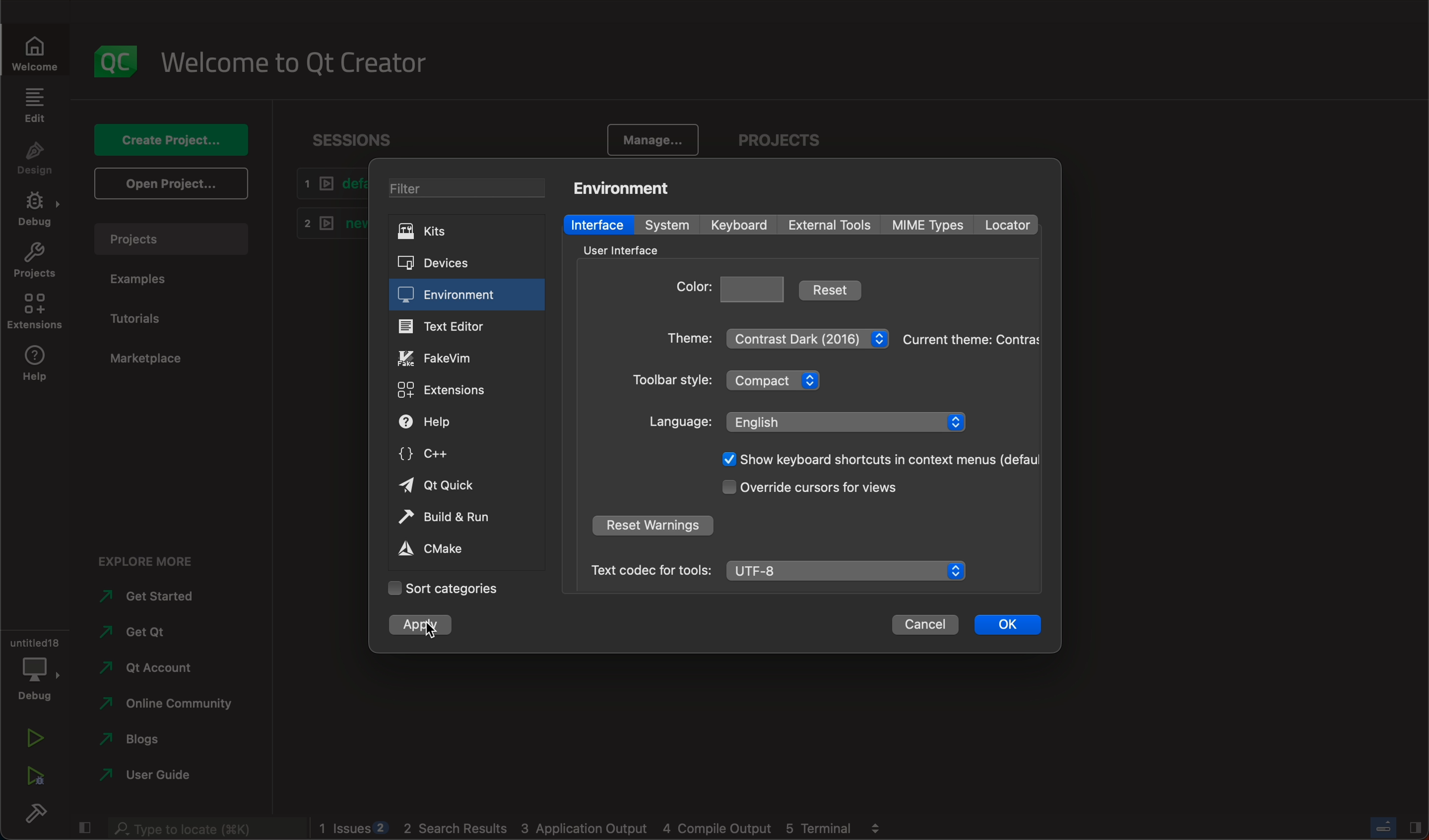  Describe the element at coordinates (32, 740) in the screenshot. I see `run` at that location.